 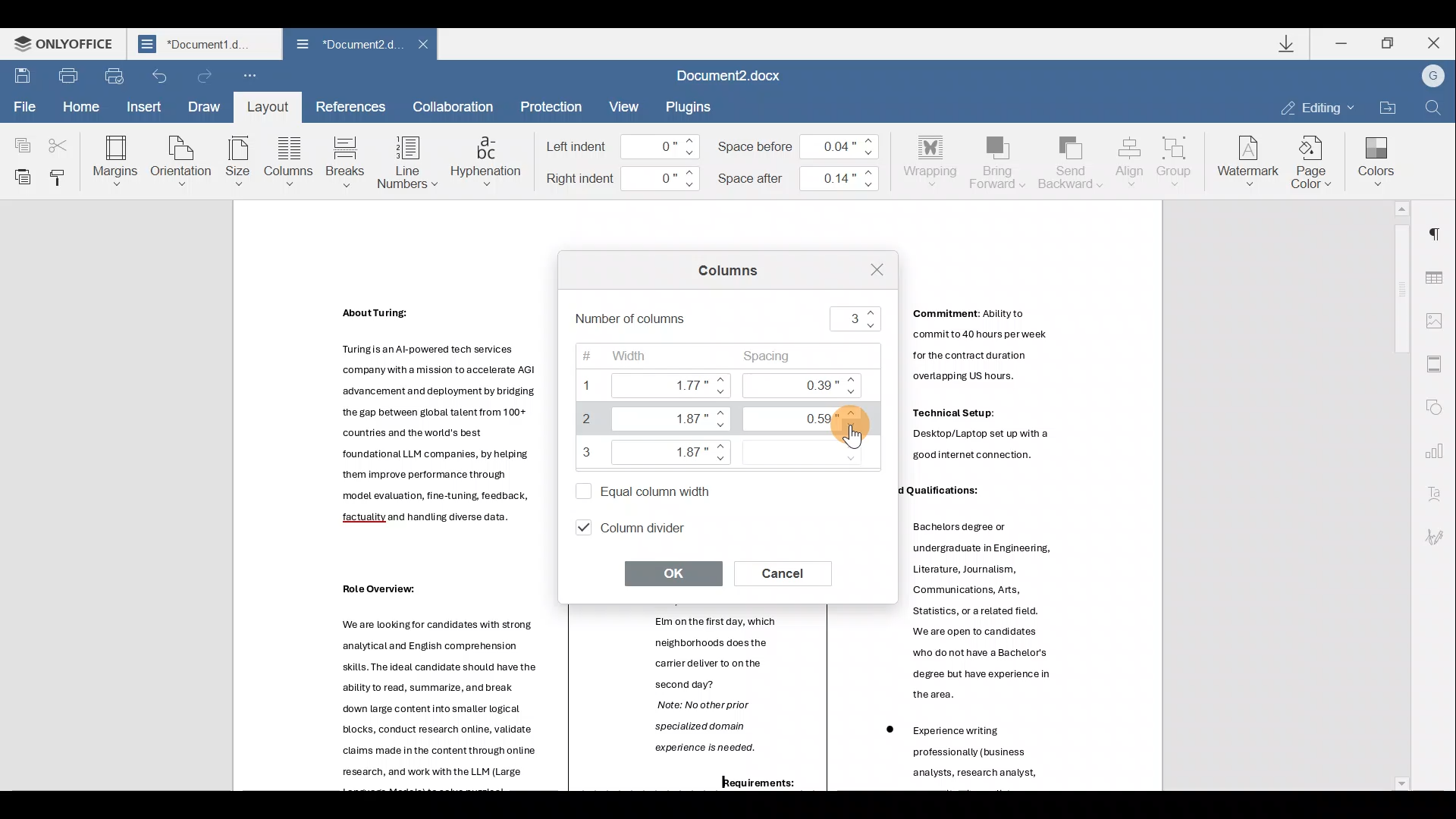 I want to click on , so click(x=978, y=610).